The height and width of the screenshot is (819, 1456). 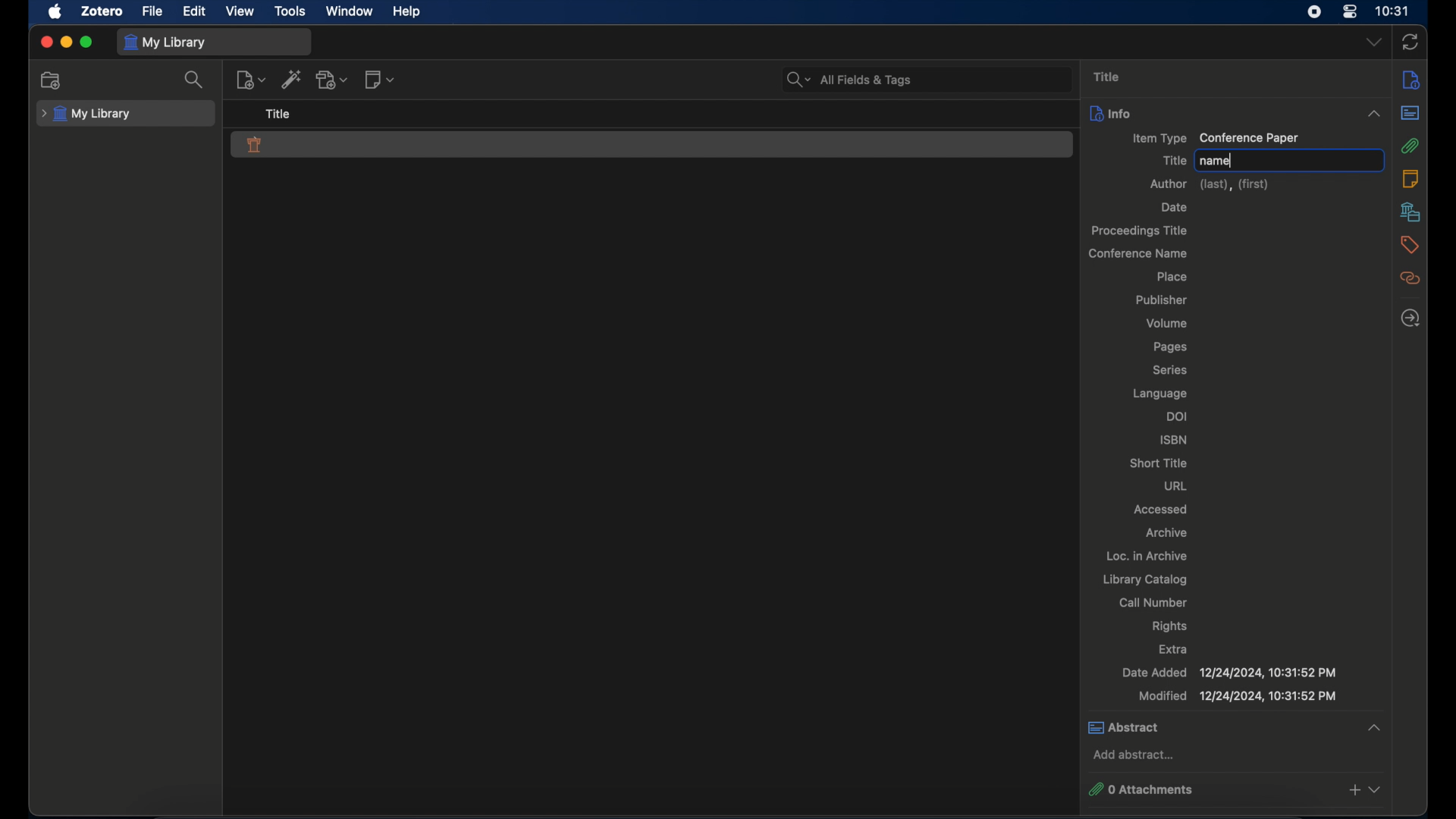 I want to click on apple, so click(x=56, y=11).